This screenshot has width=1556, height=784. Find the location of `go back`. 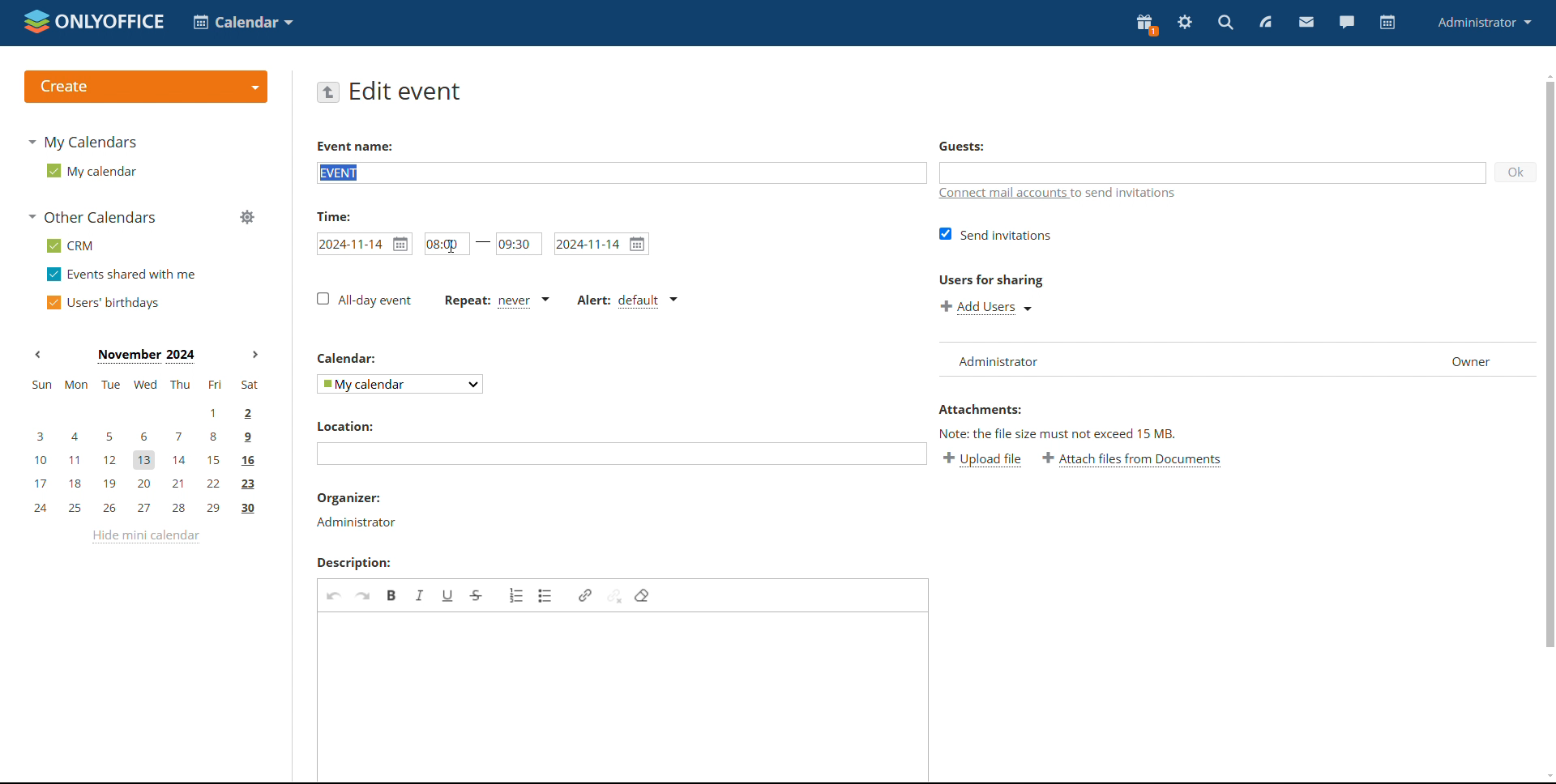

go back is located at coordinates (329, 92).